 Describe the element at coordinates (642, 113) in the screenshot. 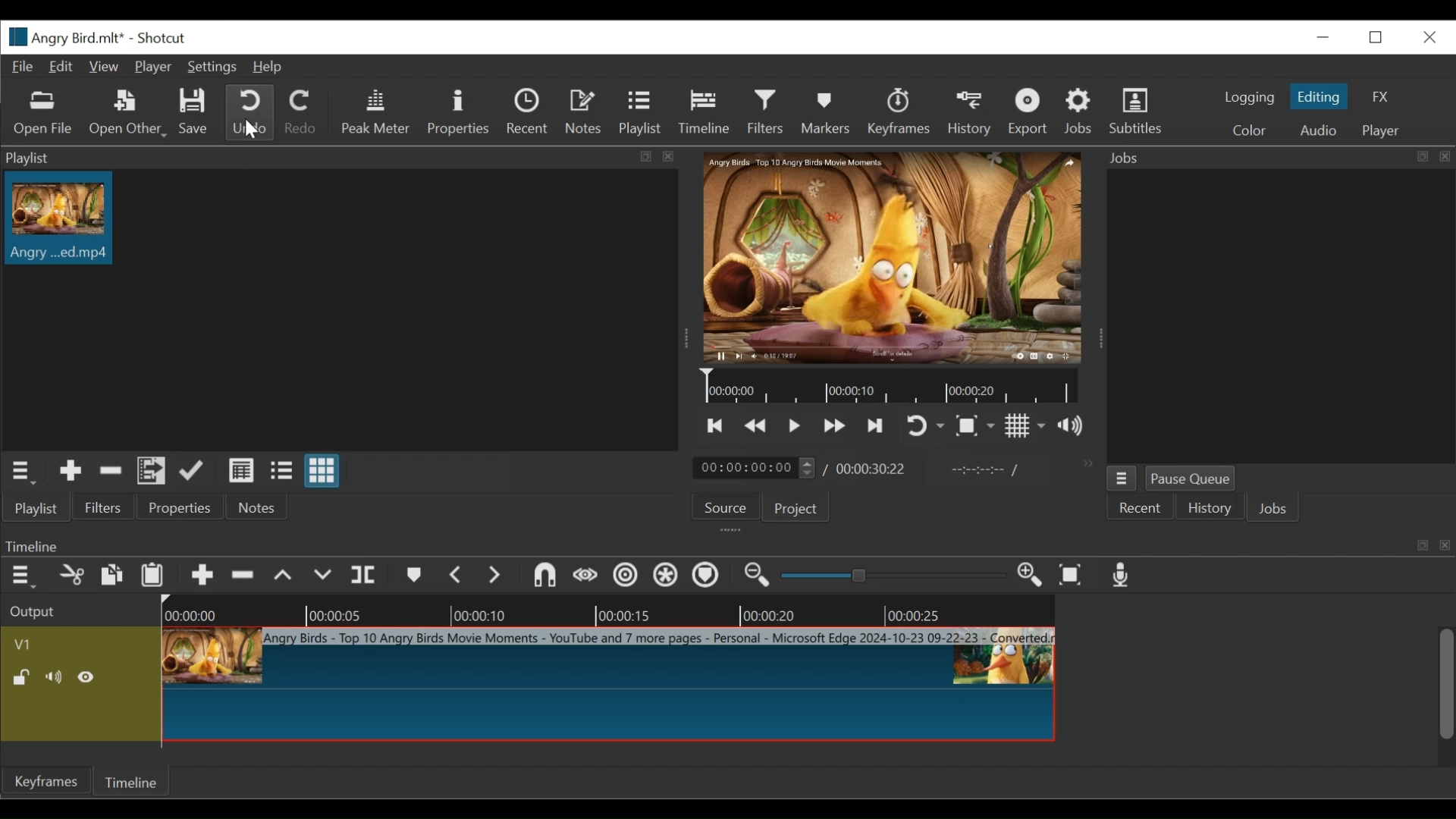

I see `Playlist` at that location.